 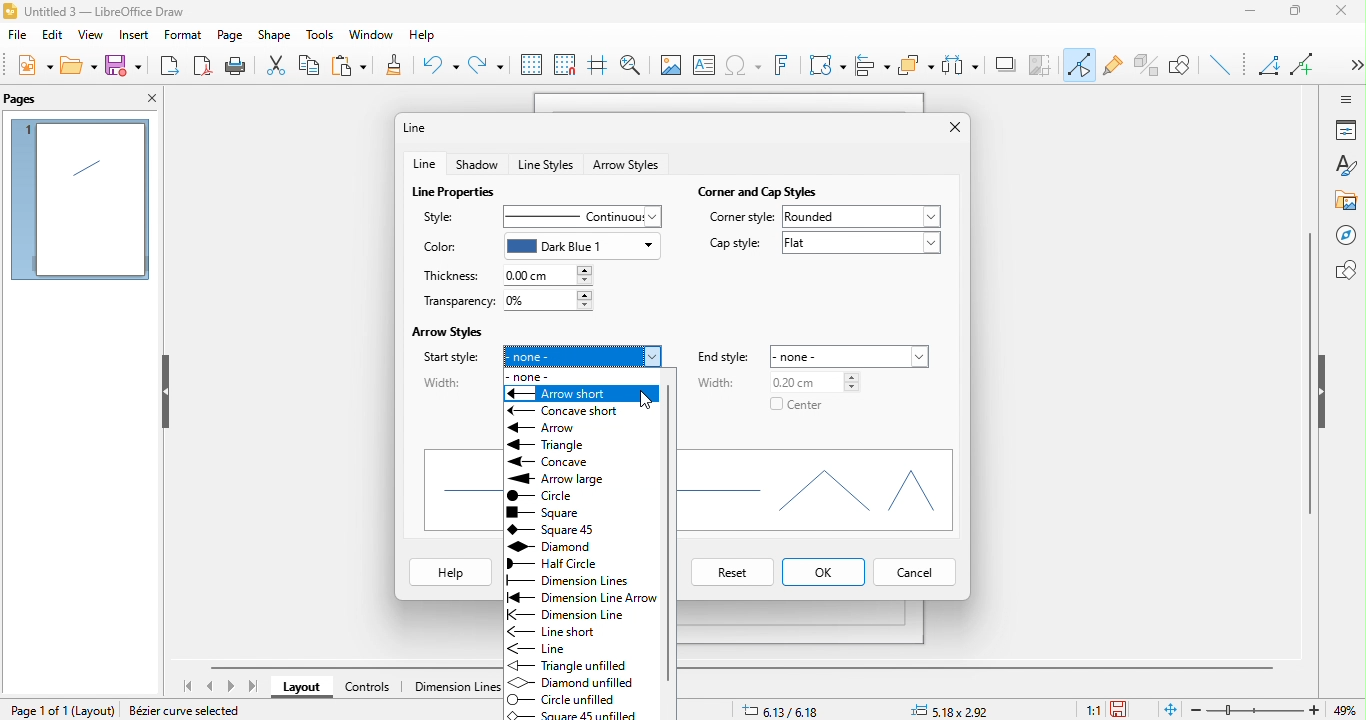 What do you see at coordinates (1346, 98) in the screenshot?
I see `sidebar setting` at bounding box center [1346, 98].